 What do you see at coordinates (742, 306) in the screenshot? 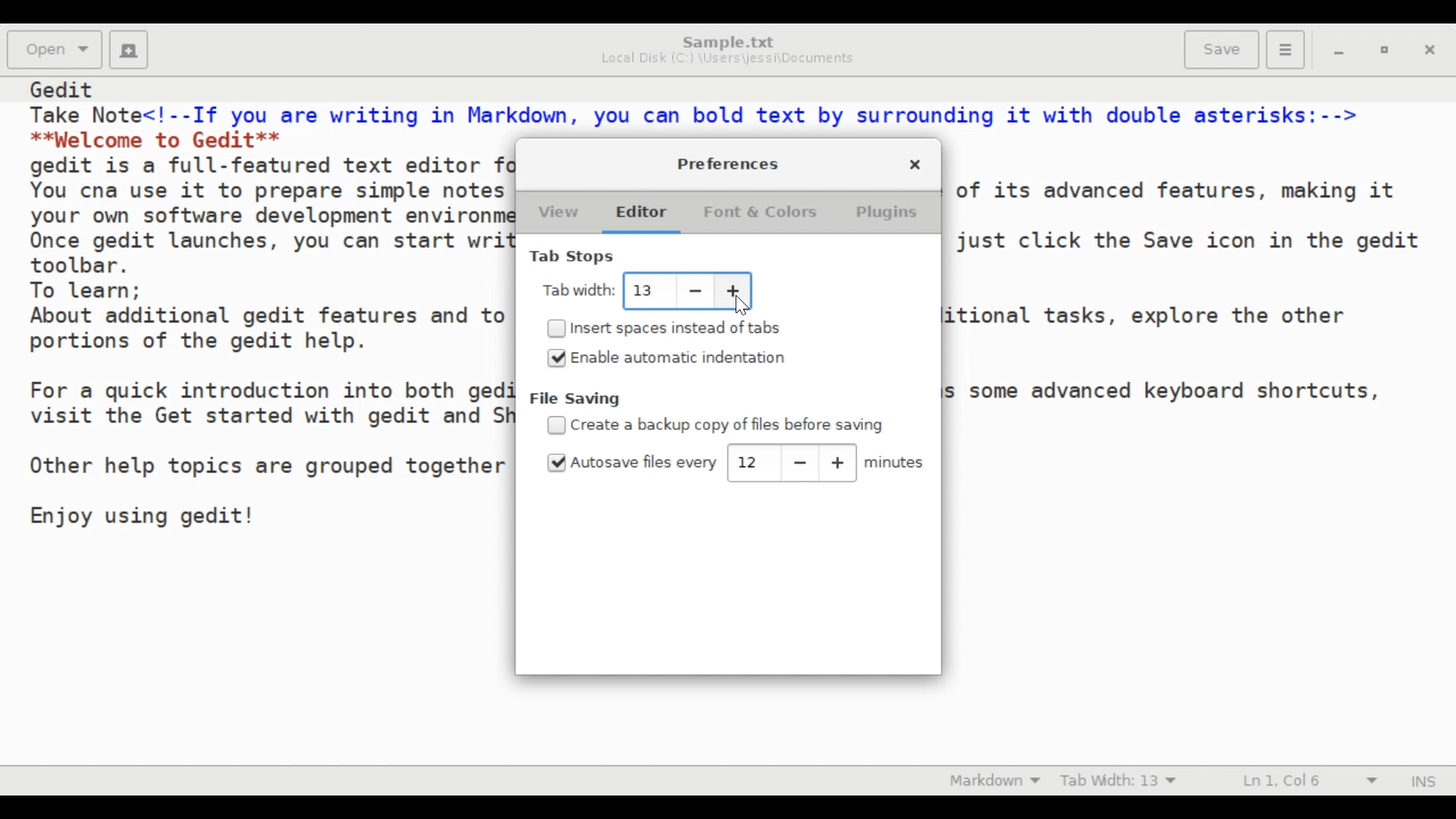
I see `cursor` at bounding box center [742, 306].